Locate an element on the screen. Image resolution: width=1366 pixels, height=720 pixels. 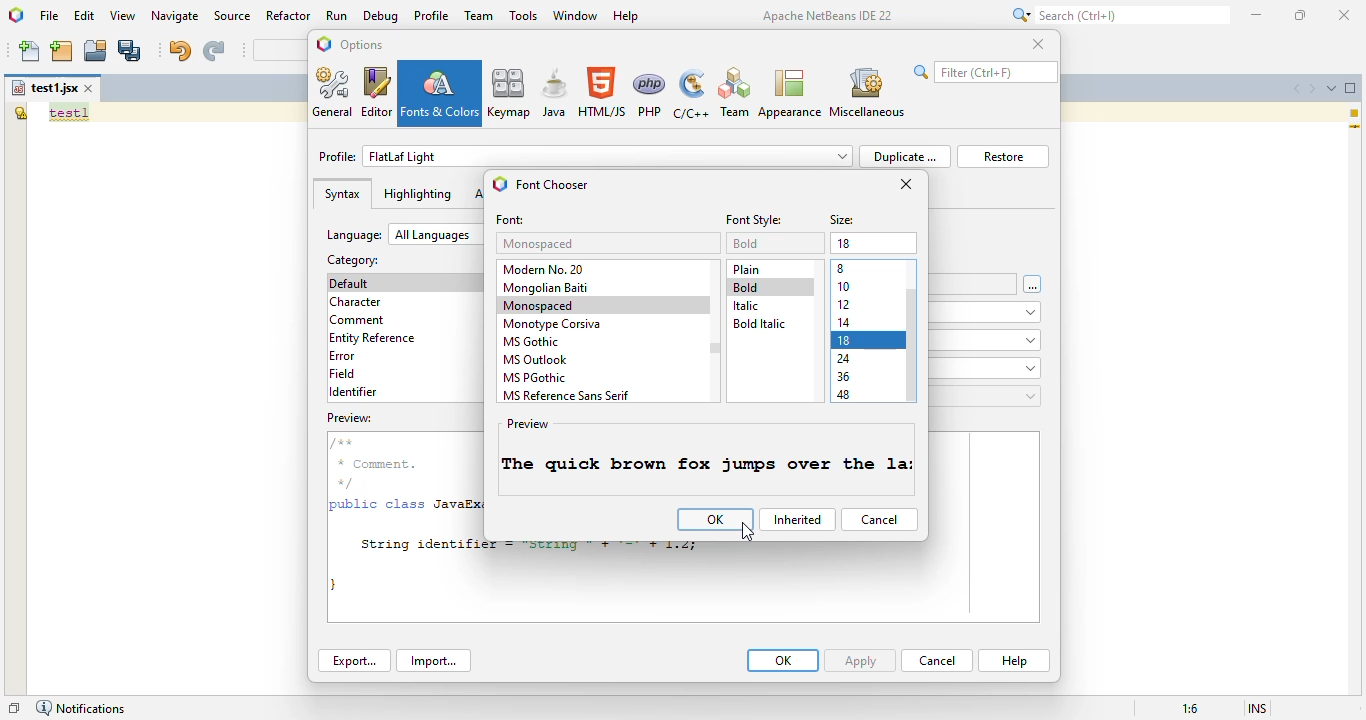
comment is located at coordinates (359, 320).